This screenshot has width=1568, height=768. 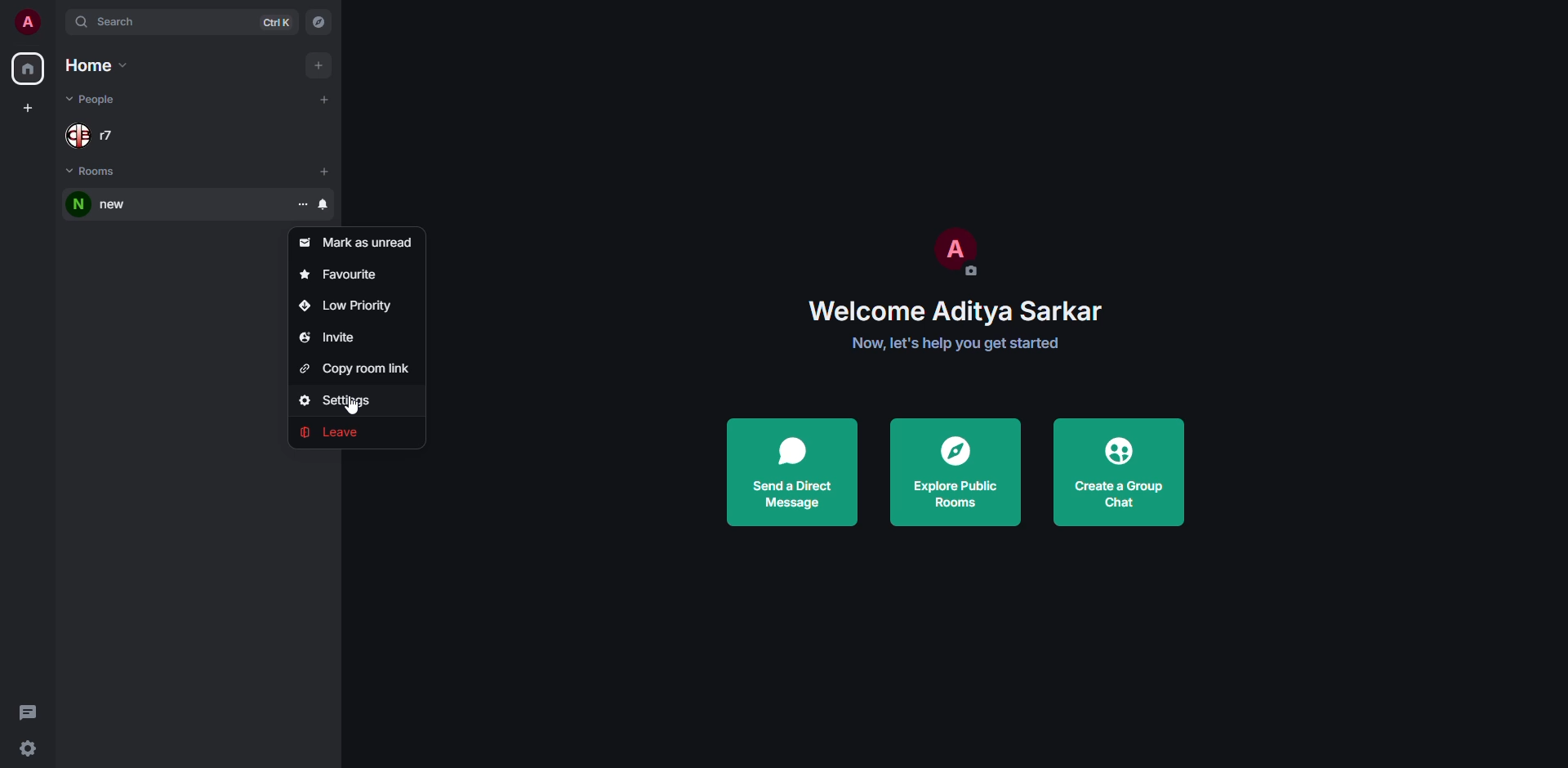 I want to click on create a group chat, so click(x=1118, y=471).